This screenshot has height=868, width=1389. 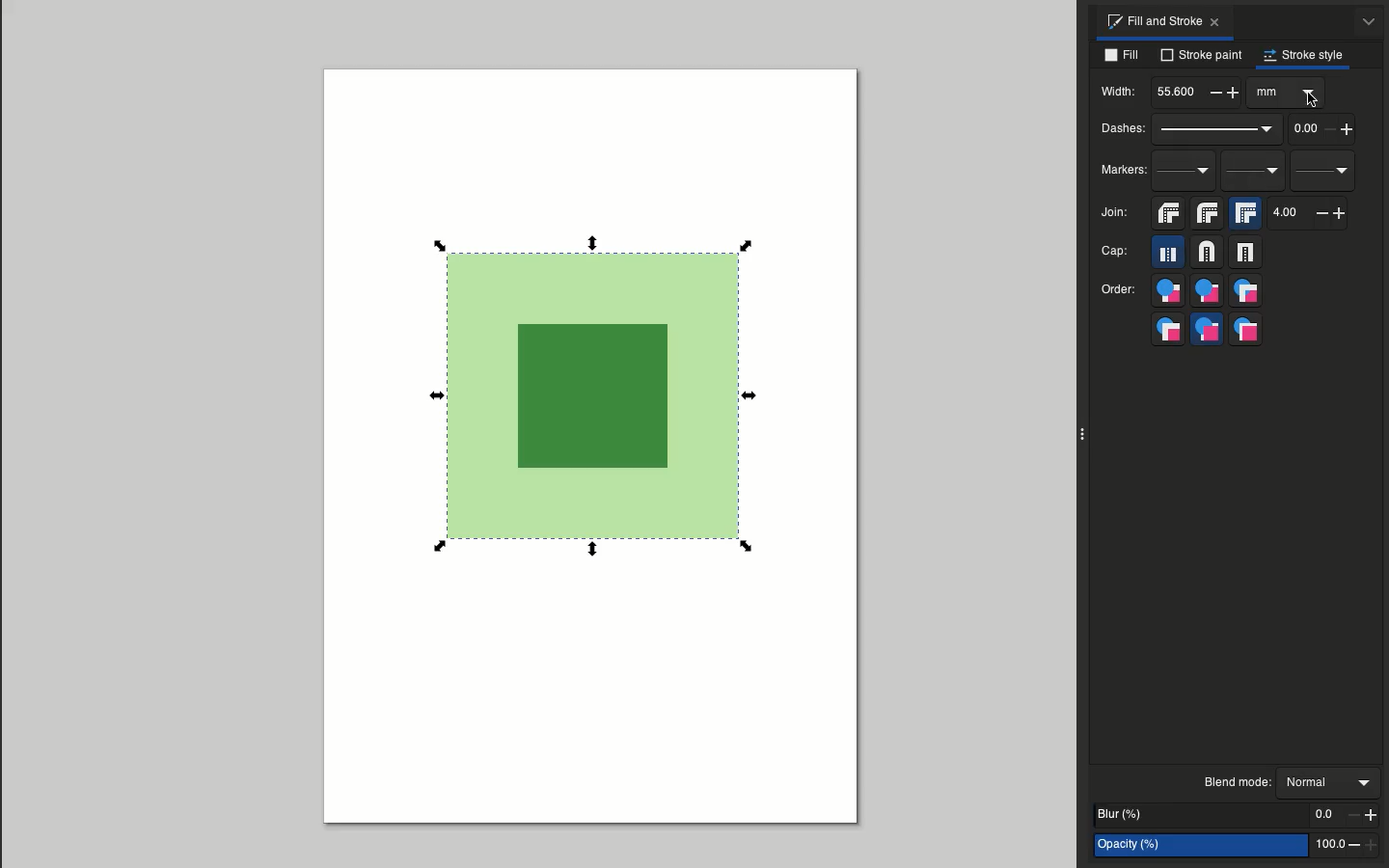 What do you see at coordinates (1122, 169) in the screenshot?
I see `Markers` at bounding box center [1122, 169].